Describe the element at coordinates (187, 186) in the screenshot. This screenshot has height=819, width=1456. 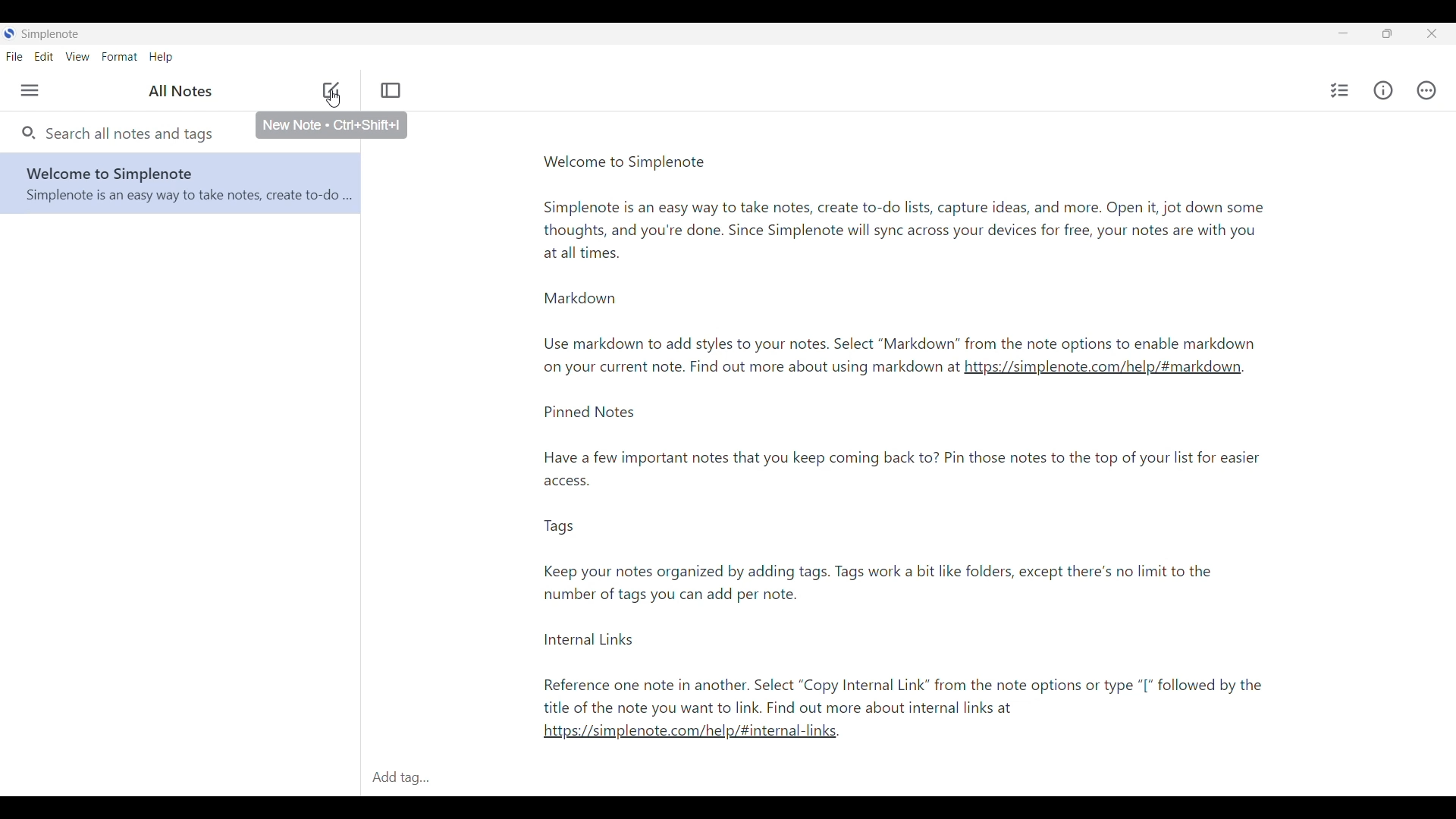
I see `Welcome to Simplenote Simplenote is an easy way to take notes, create to-do...` at that location.